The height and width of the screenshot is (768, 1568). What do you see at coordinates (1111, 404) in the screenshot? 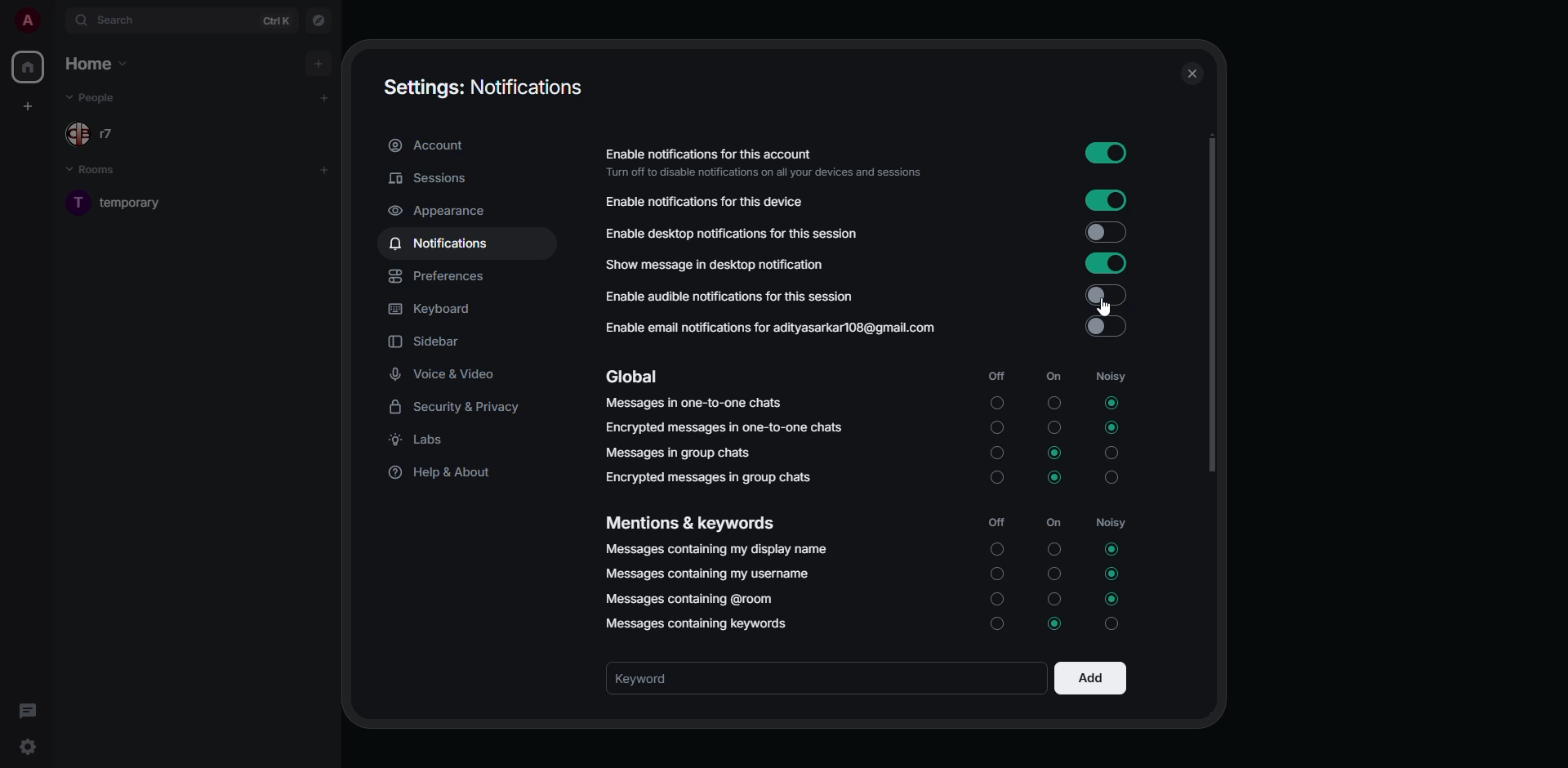
I see `selected` at bounding box center [1111, 404].